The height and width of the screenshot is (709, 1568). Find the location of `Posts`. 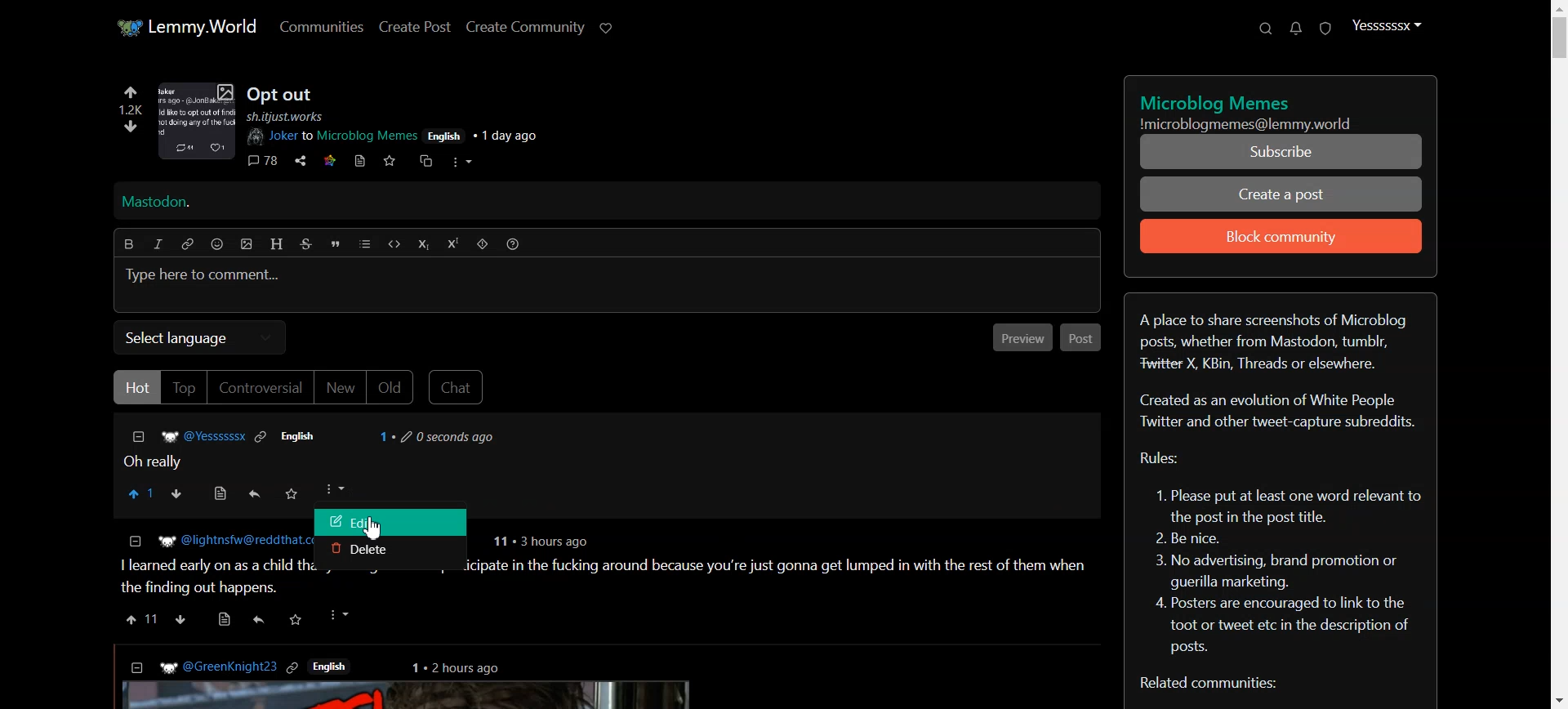

Posts is located at coordinates (282, 92).